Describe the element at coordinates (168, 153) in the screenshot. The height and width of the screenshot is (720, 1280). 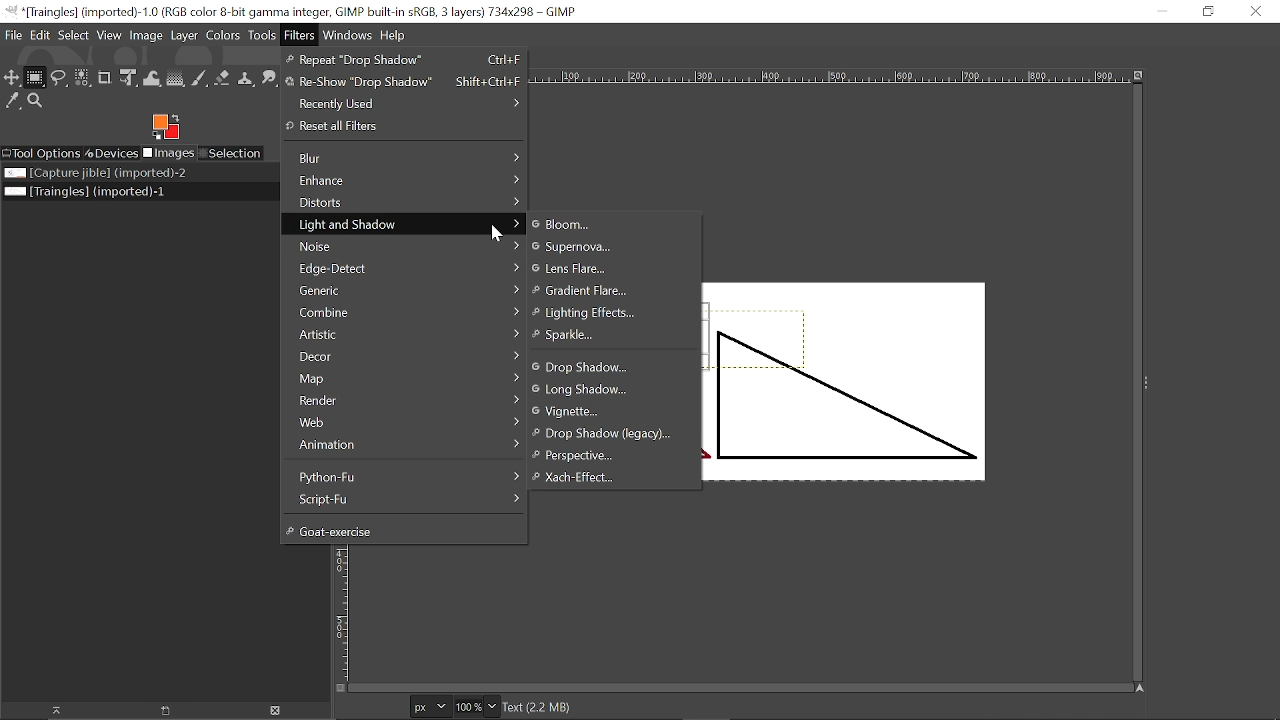
I see `Imges` at that location.